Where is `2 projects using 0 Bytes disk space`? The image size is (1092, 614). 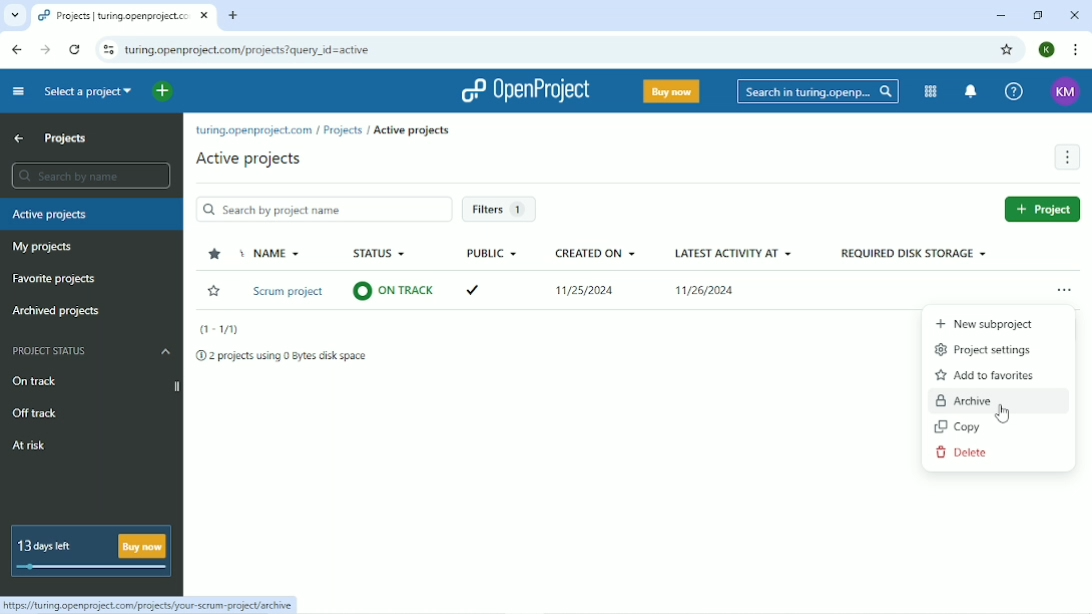 2 projects using 0 Bytes disk space is located at coordinates (284, 356).